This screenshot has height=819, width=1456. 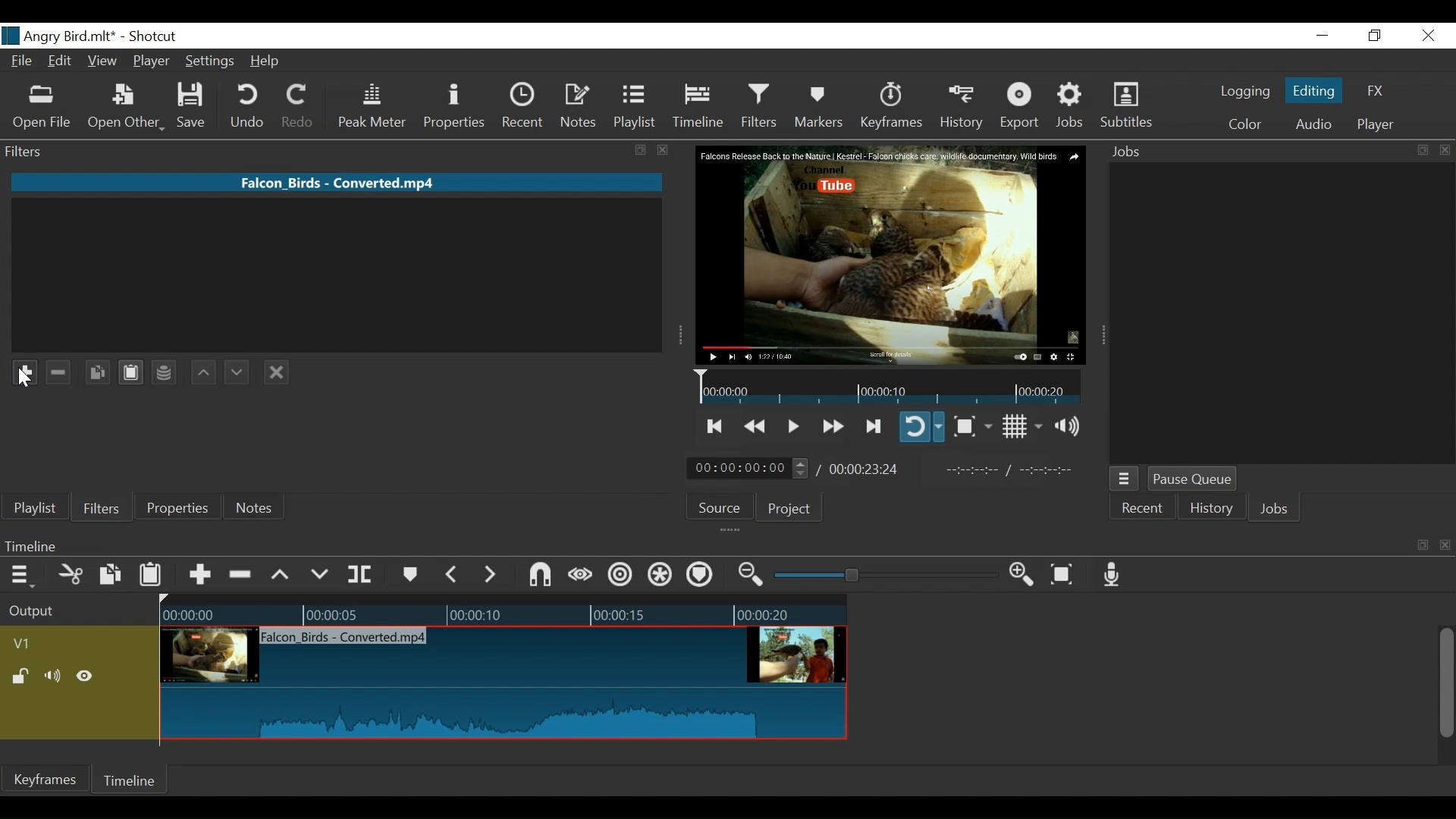 I want to click on Toggle display grid on player, so click(x=1025, y=426).